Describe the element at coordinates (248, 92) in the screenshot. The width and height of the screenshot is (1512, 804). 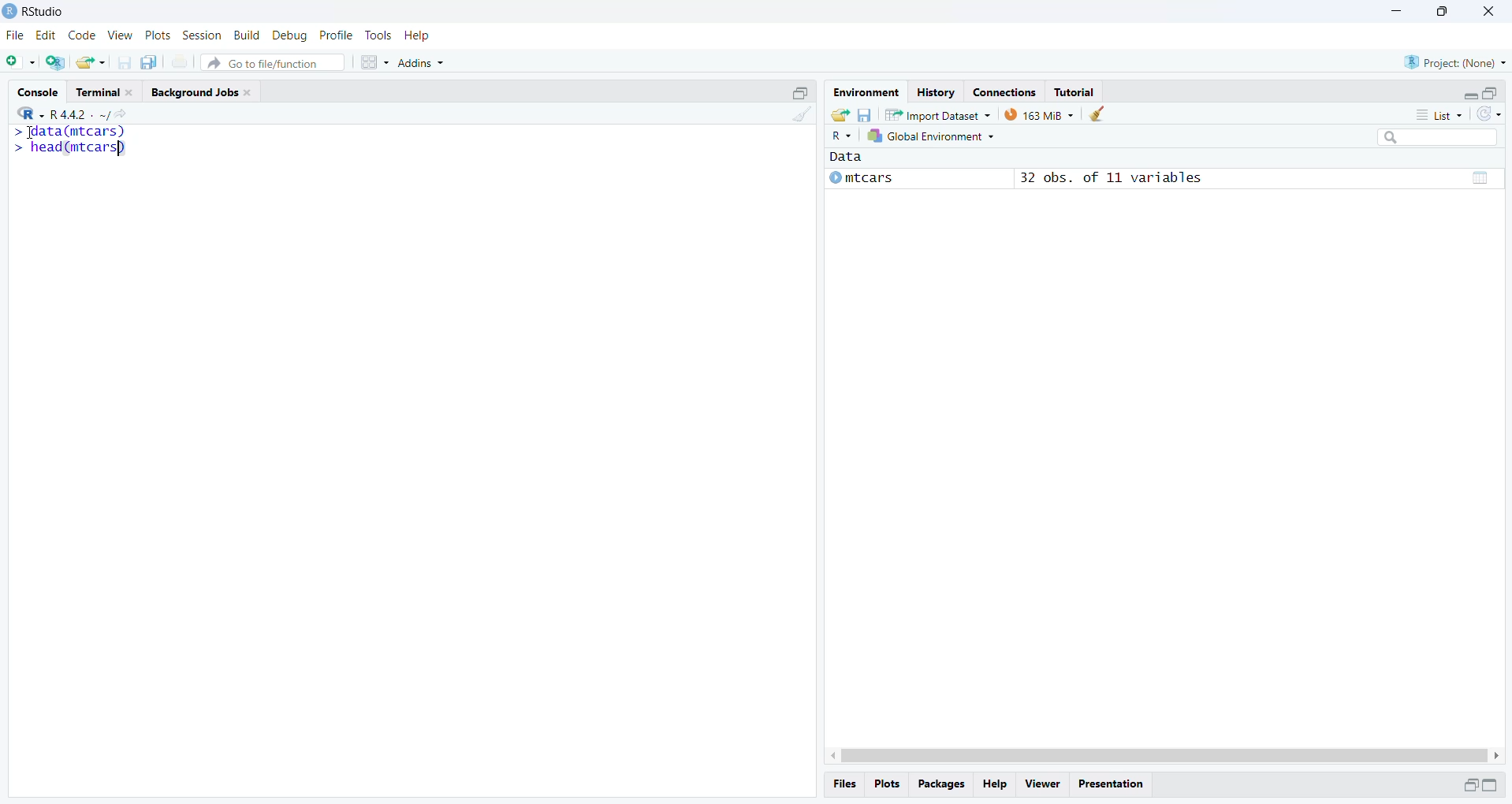
I see `close` at that location.